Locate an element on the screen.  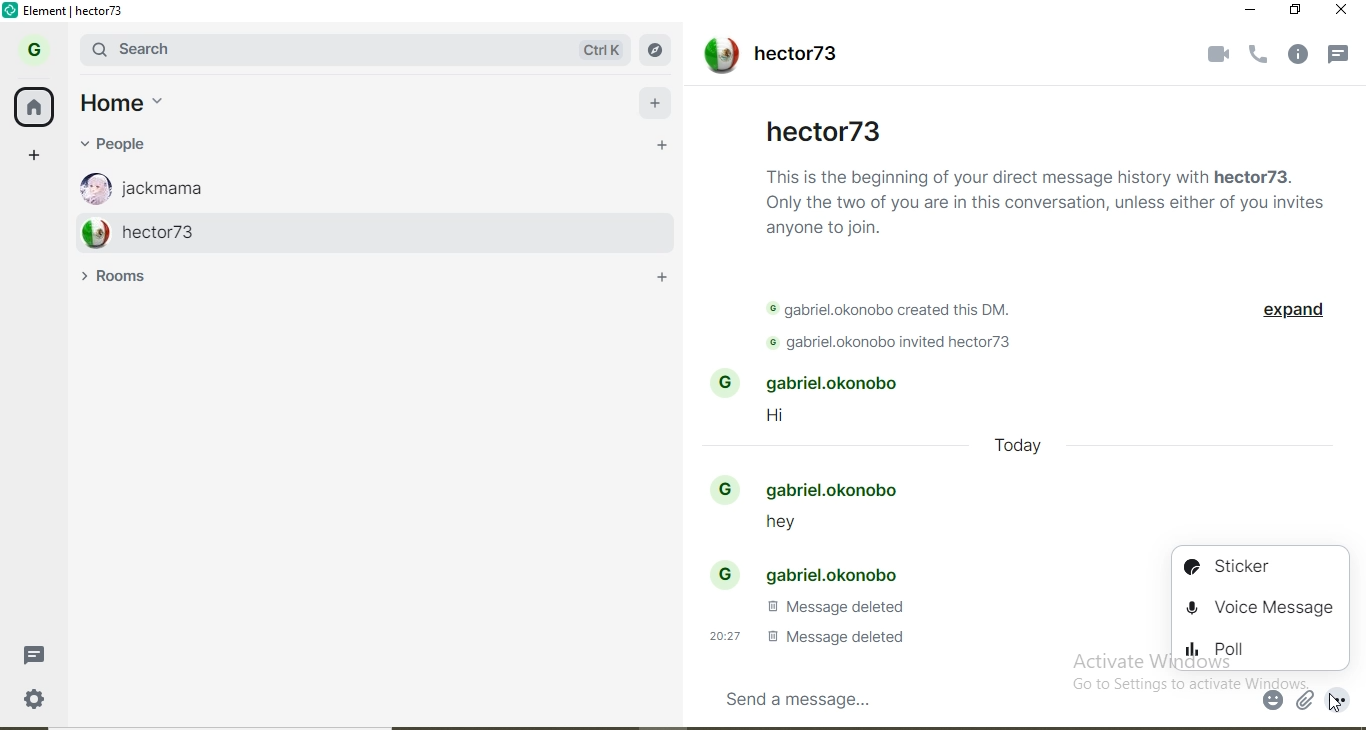
expand is located at coordinates (1291, 313).